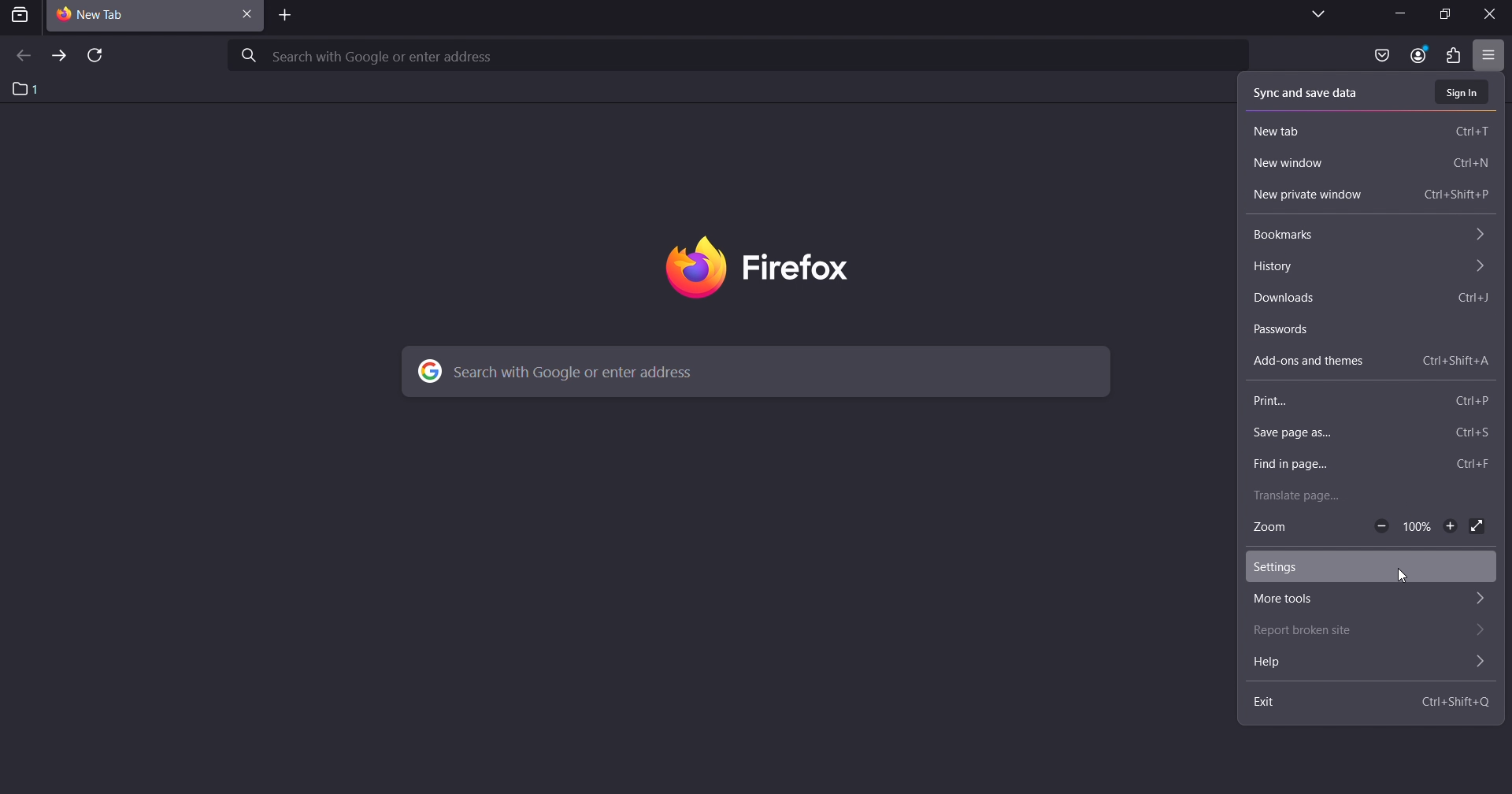 The height and width of the screenshot is (794, 1512). Describe the element at coordinates (1407, 577) in the screenshot. I see `cursor` at that location.